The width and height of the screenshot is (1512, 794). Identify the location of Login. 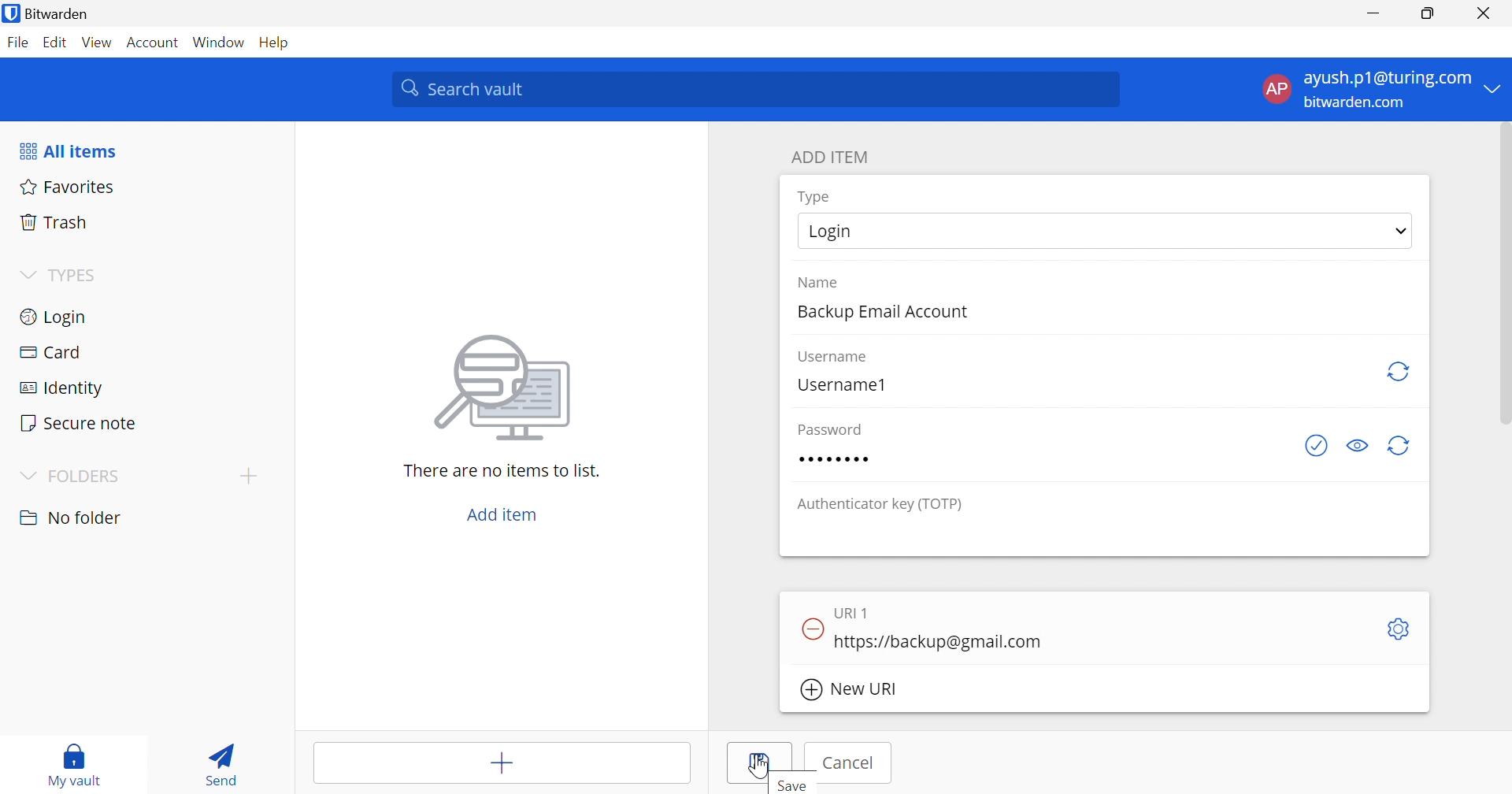
(56, 317).